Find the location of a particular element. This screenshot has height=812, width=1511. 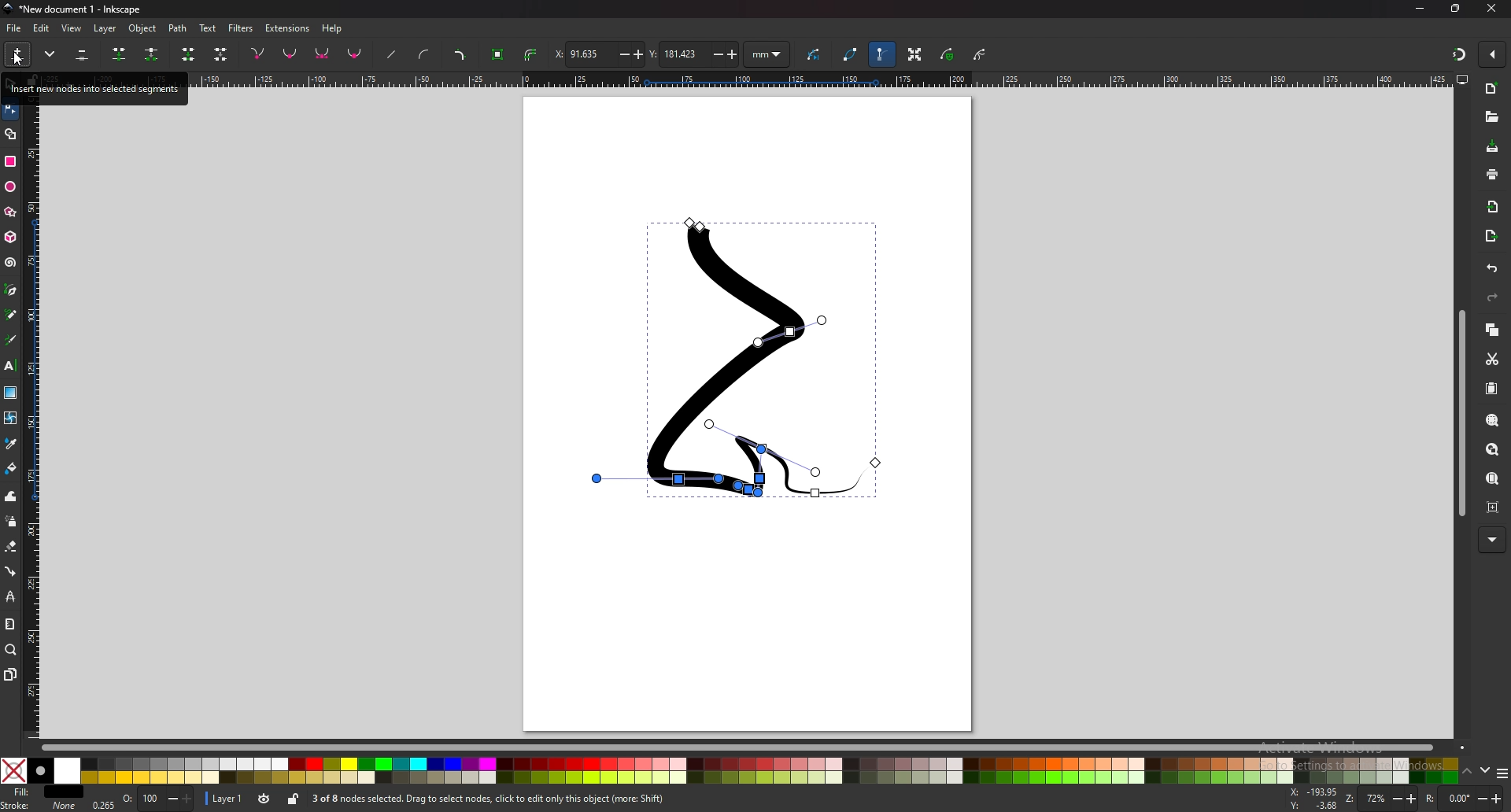

delete selected nodes is located at coordinates (83, 55).